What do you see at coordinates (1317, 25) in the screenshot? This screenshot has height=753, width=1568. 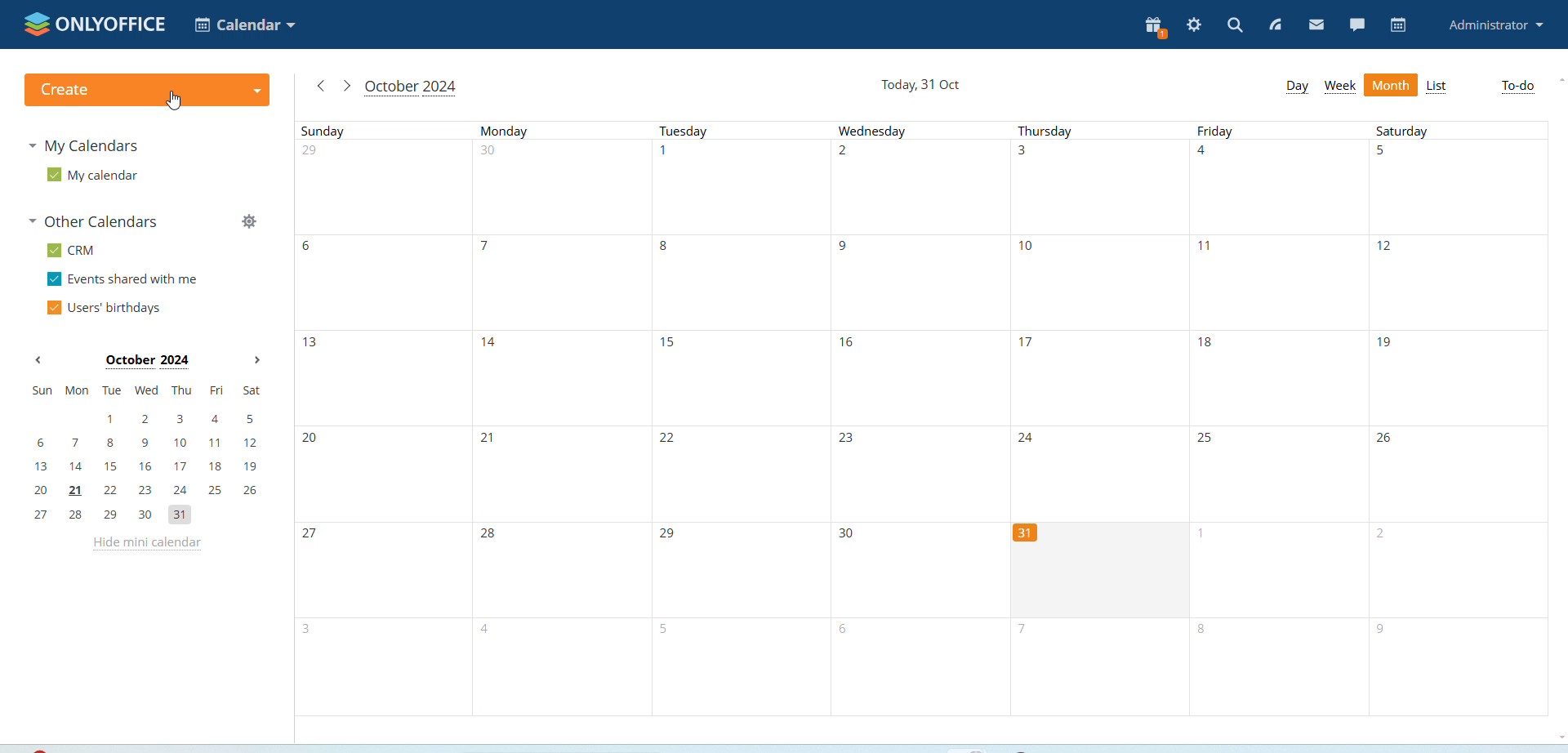 I see `mail` at bounding box center [1317, 25].